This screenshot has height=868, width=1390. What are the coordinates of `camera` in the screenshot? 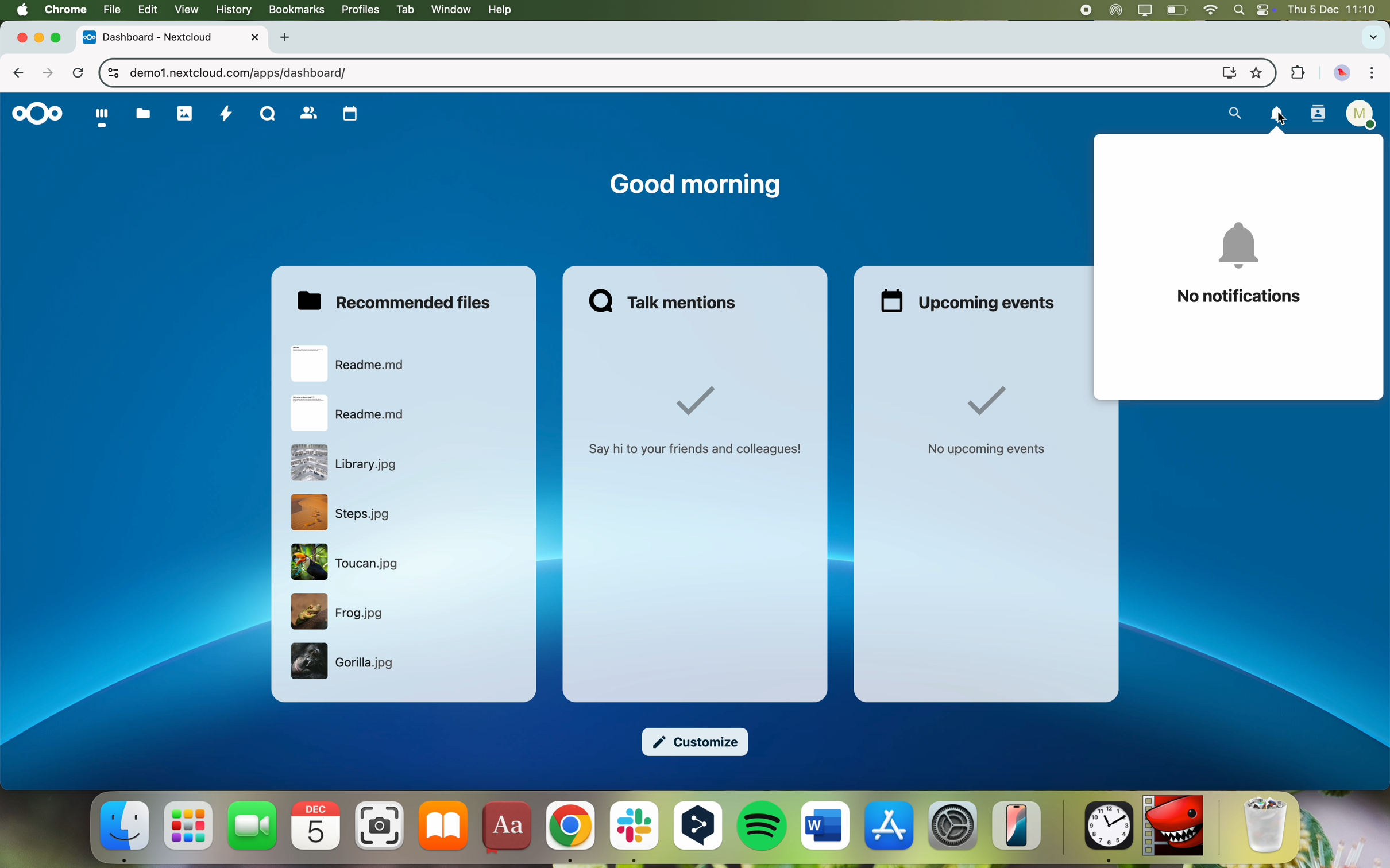 It's located at (380, 826).